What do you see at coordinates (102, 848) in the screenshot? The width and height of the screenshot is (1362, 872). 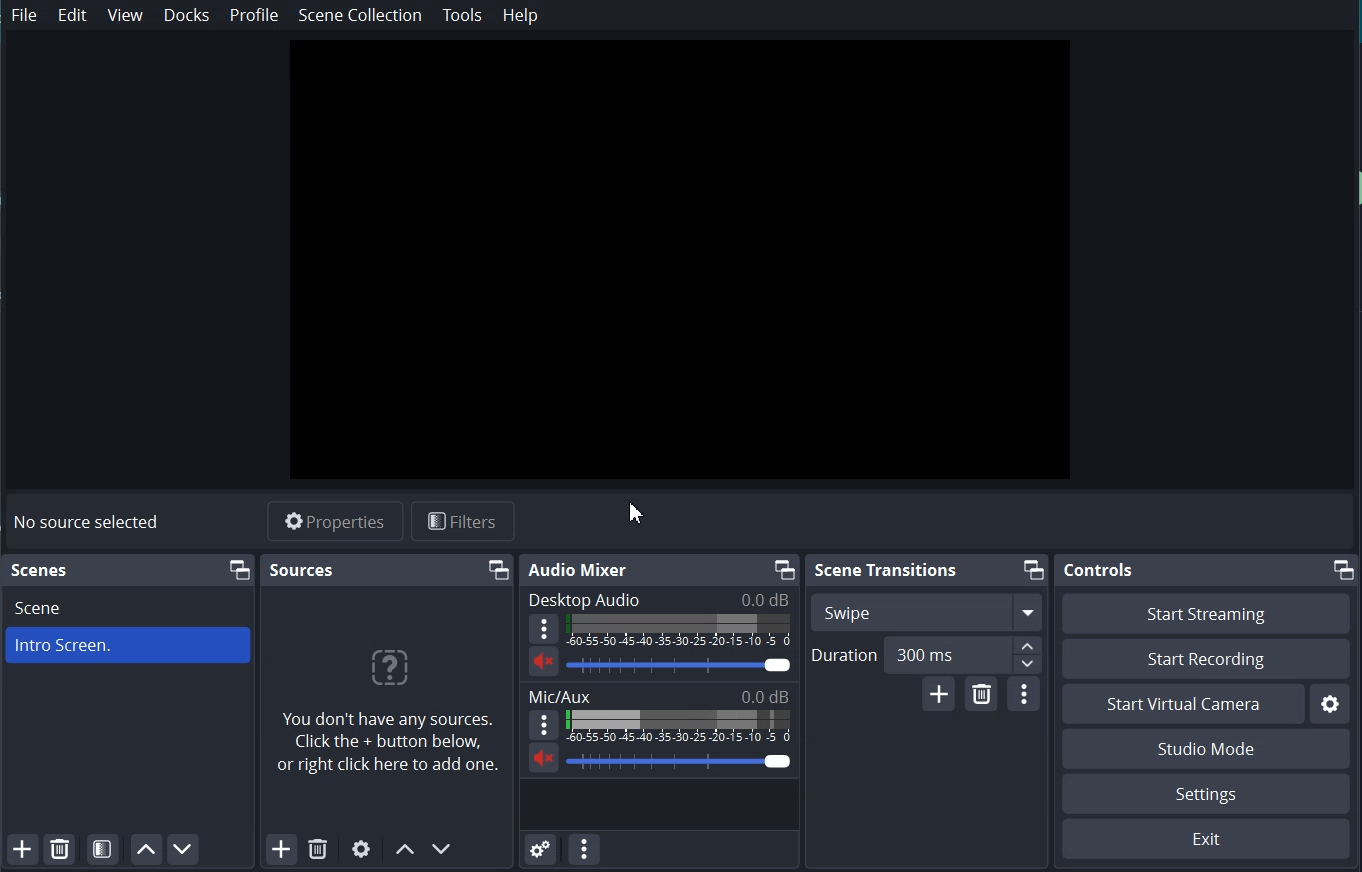 I see `Open scene filter` at bounding box center [102, 848].